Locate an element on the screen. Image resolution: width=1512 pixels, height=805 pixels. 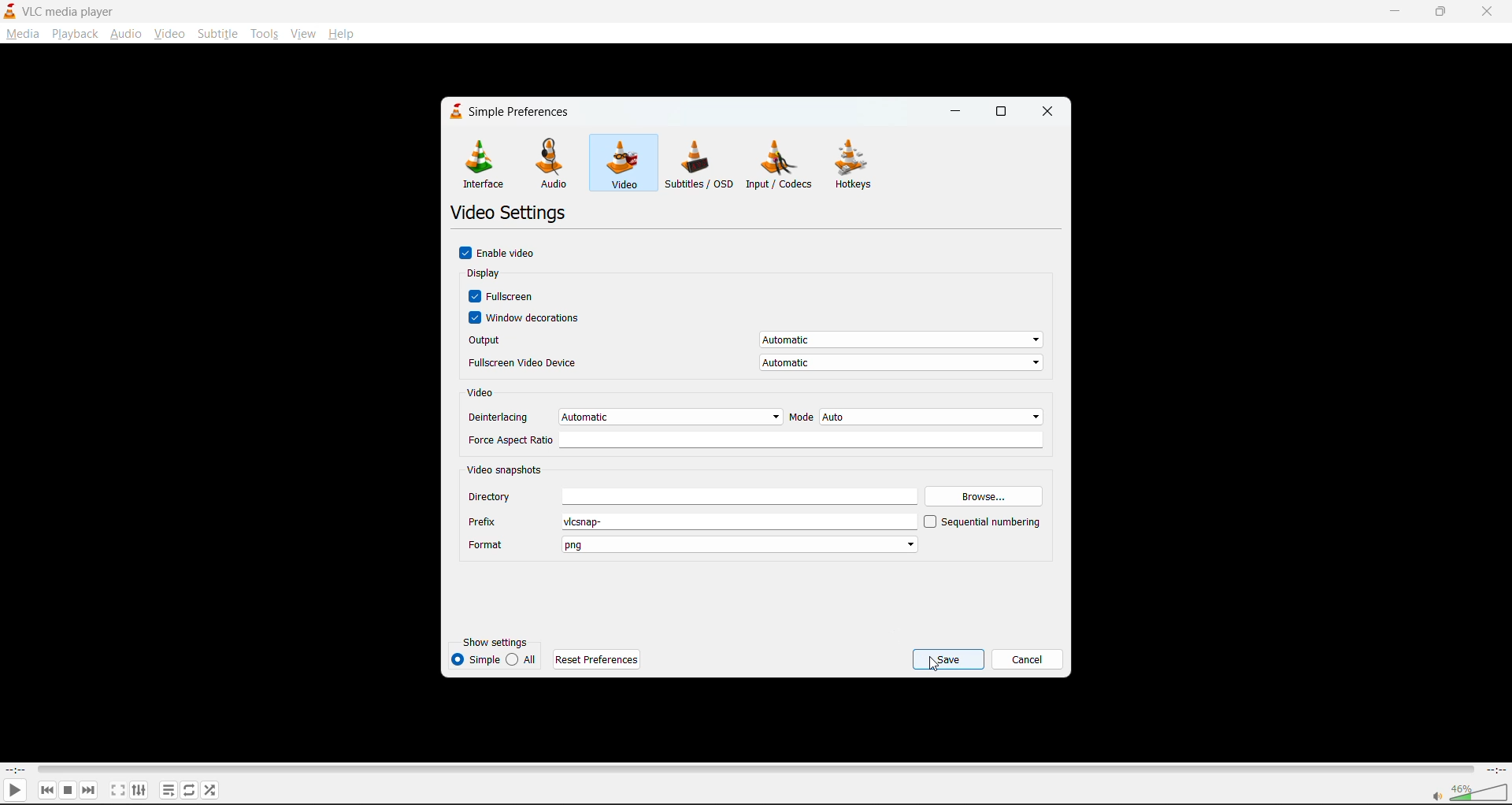
window decorations is located at coordinates (531, 317).